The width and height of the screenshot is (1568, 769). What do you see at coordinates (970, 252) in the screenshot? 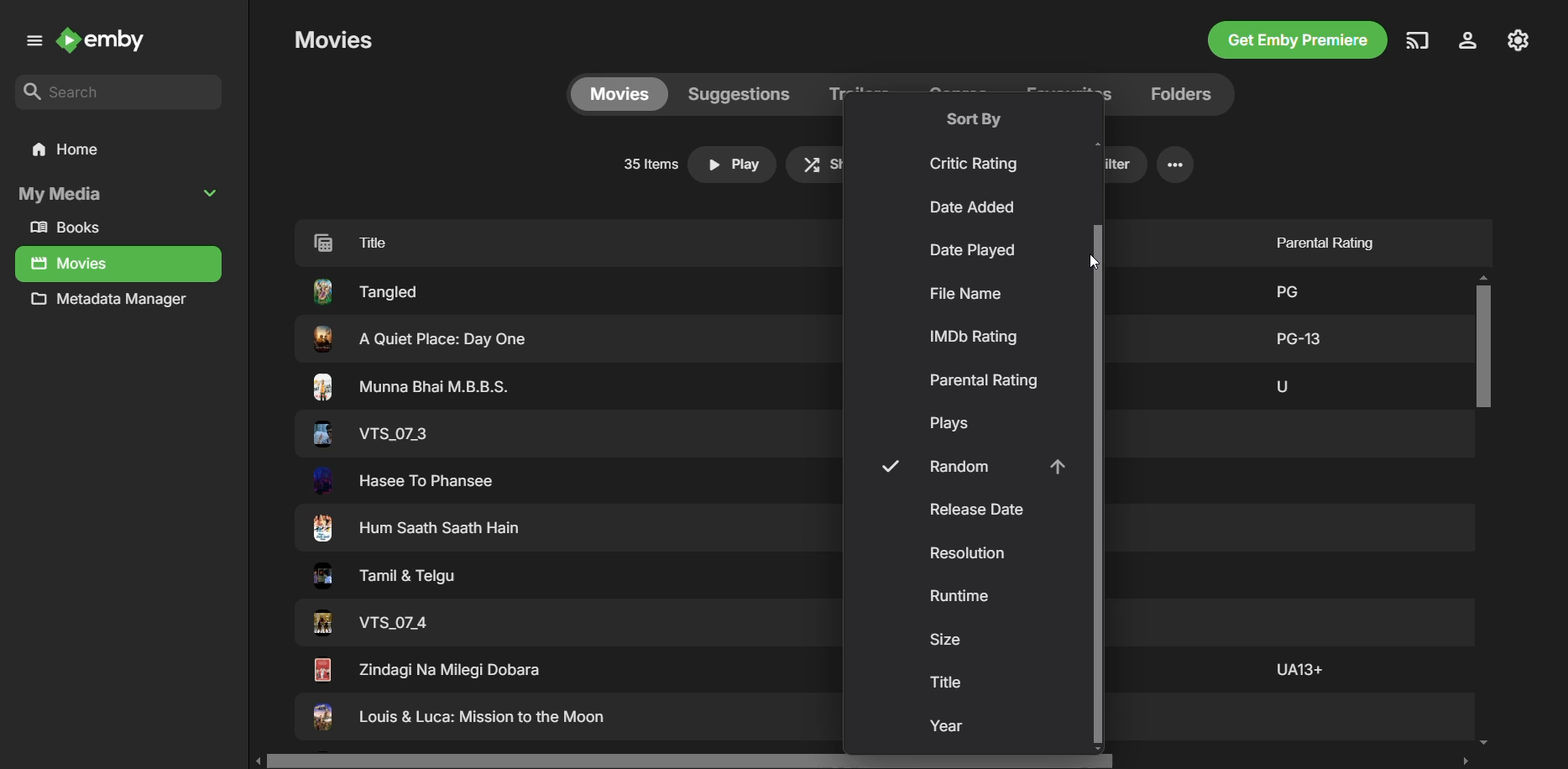
I see `Date Played` at bounding box center [970, 252].